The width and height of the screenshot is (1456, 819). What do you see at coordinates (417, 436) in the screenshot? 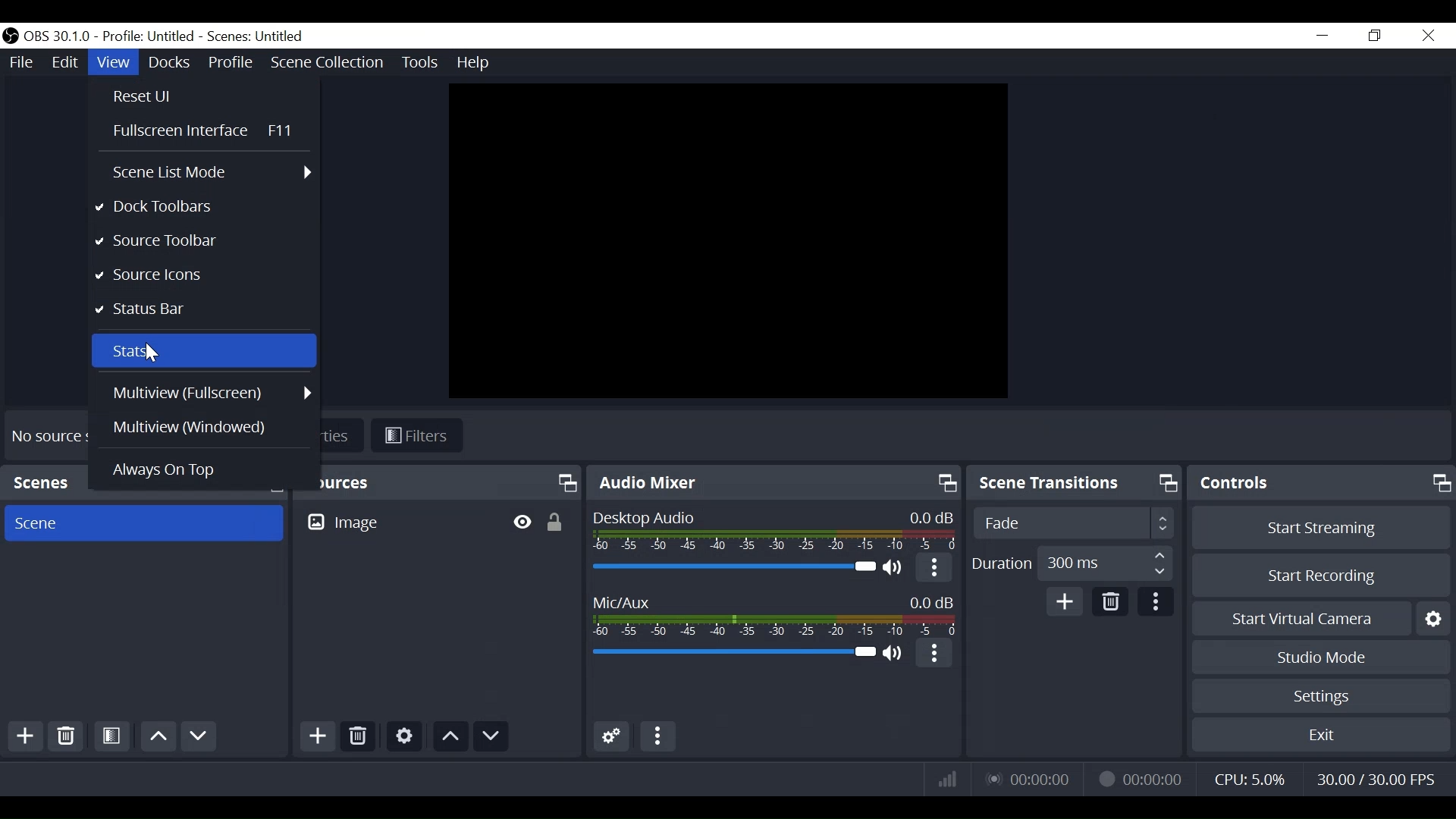
I see `Filters` at bounding box center [417, 436].